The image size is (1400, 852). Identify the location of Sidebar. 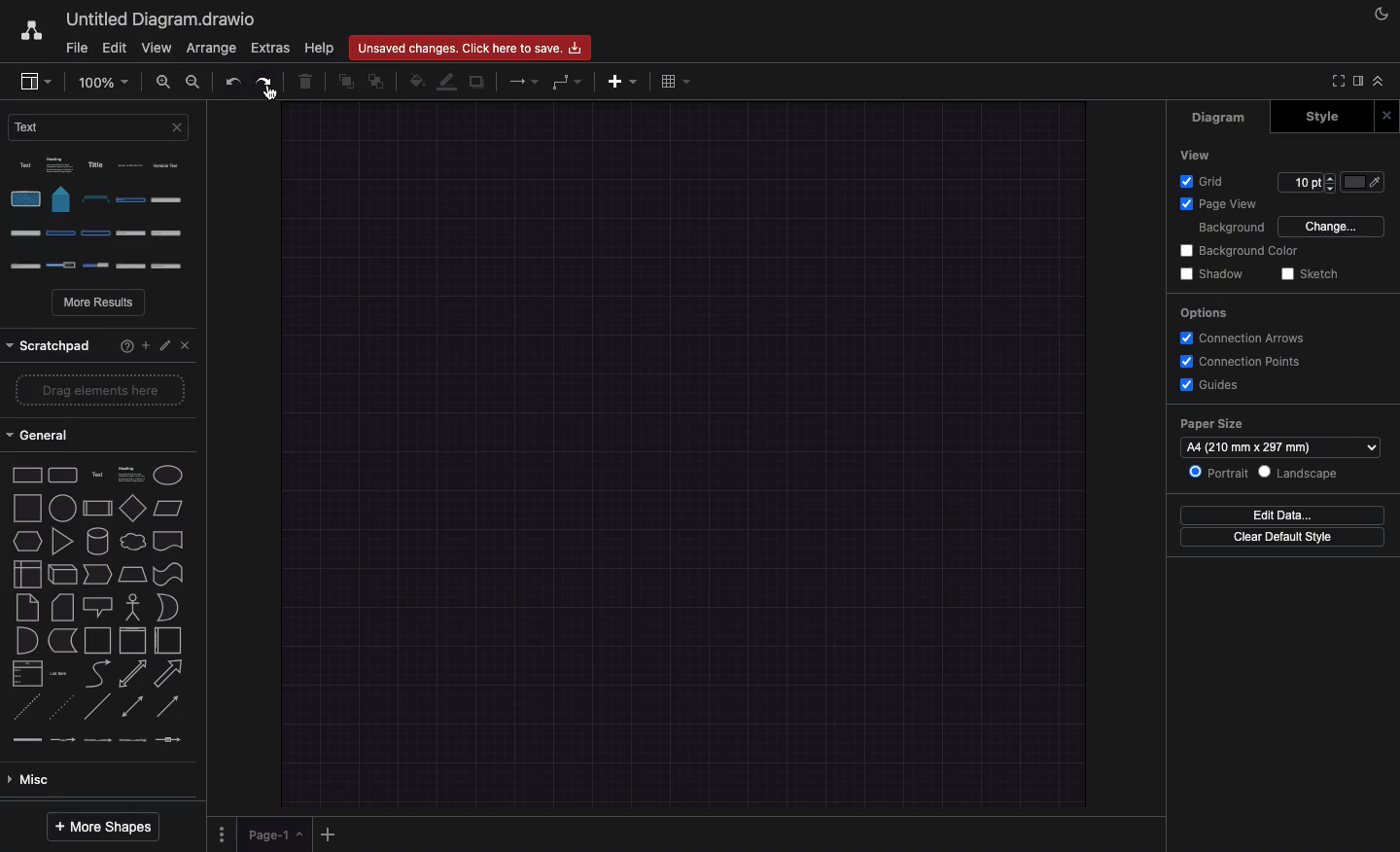
(35, 83).